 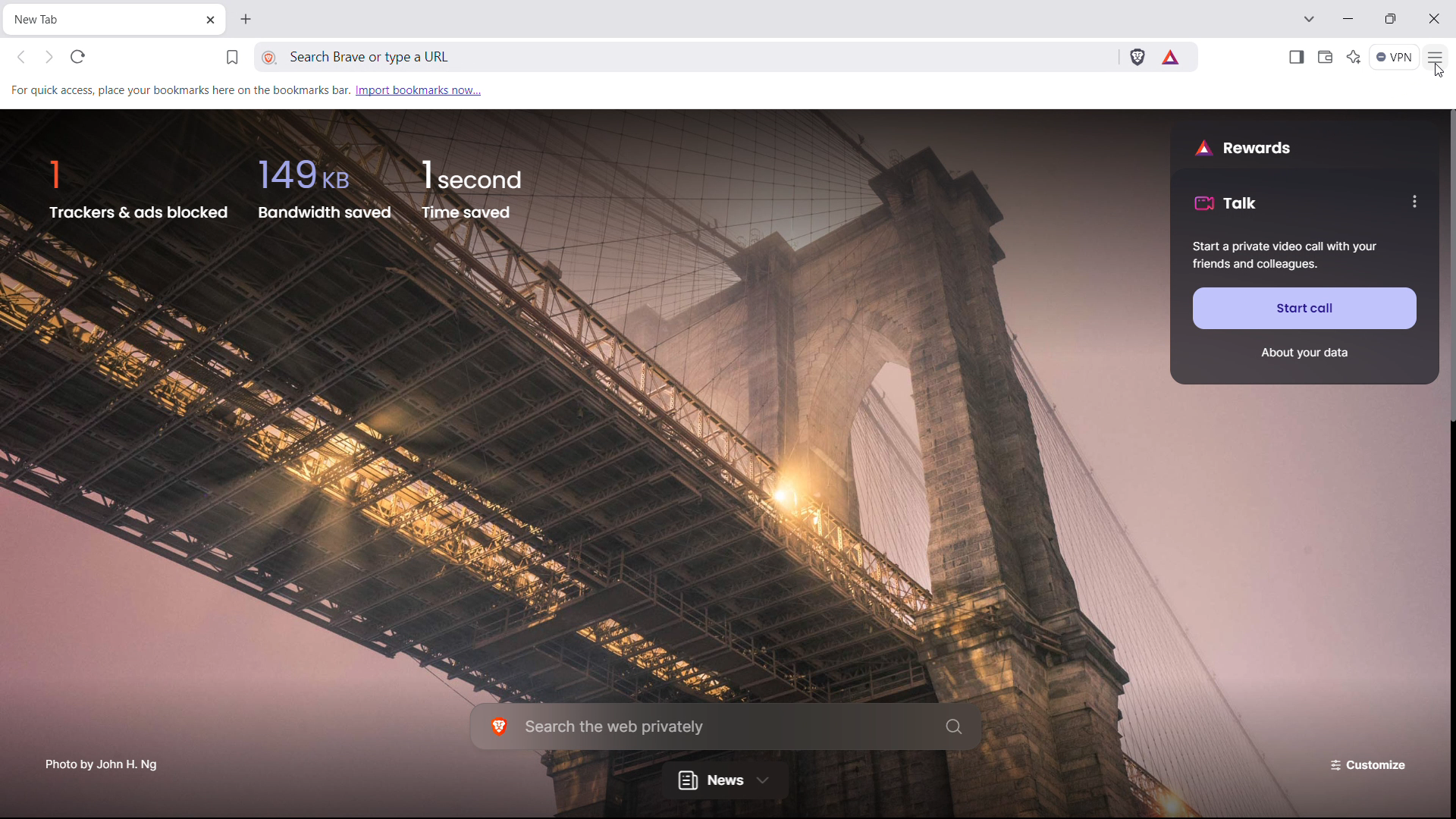 What do you see at coordinates (1137, 58) in the screenshot?
I see `brave shield` at bounding box center [1137, 58].